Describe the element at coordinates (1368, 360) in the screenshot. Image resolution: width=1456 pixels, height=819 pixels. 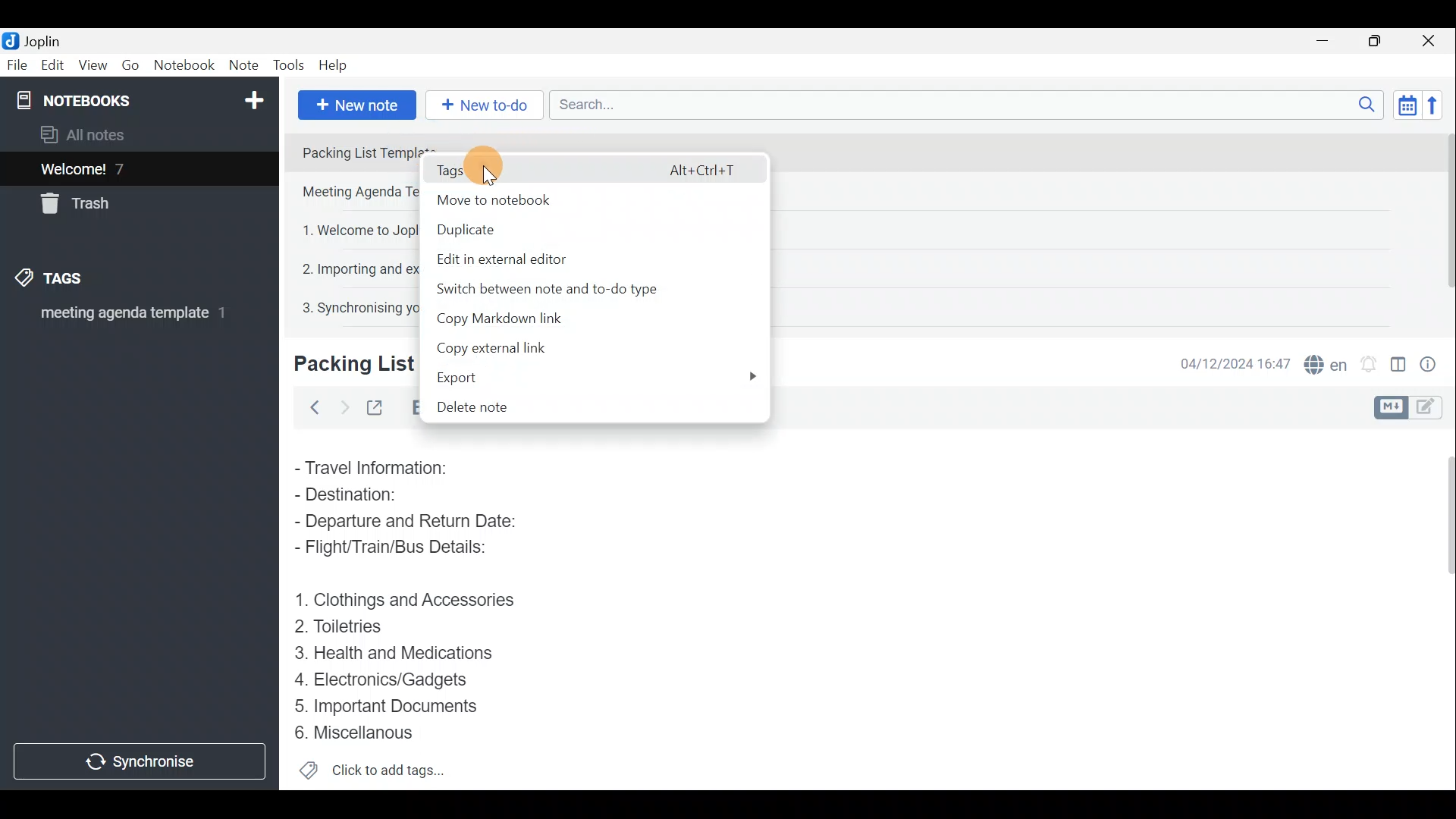
I see `Set alarm` at that location.